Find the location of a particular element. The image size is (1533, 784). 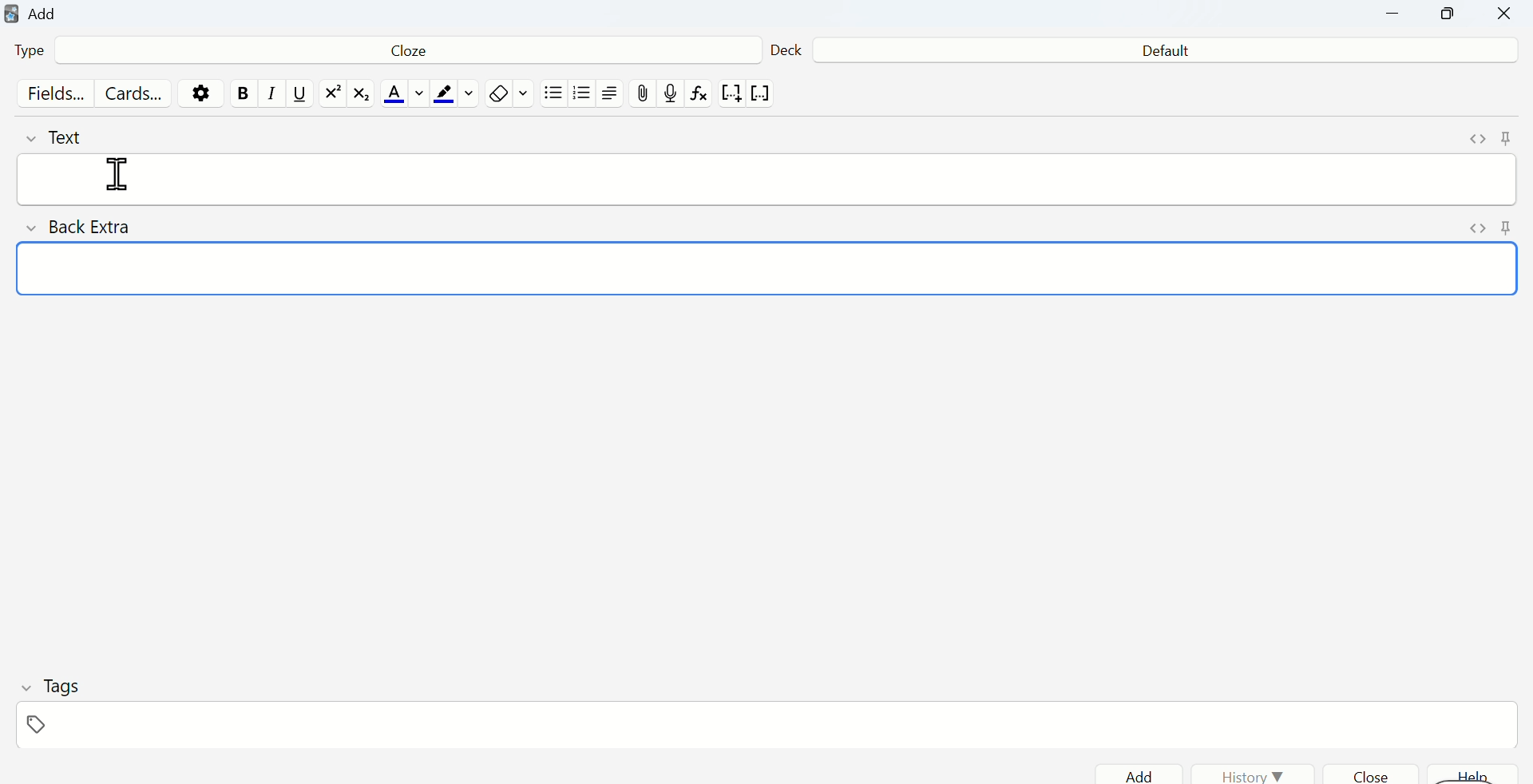

Text highlight color is located at coordinates (456, 95).